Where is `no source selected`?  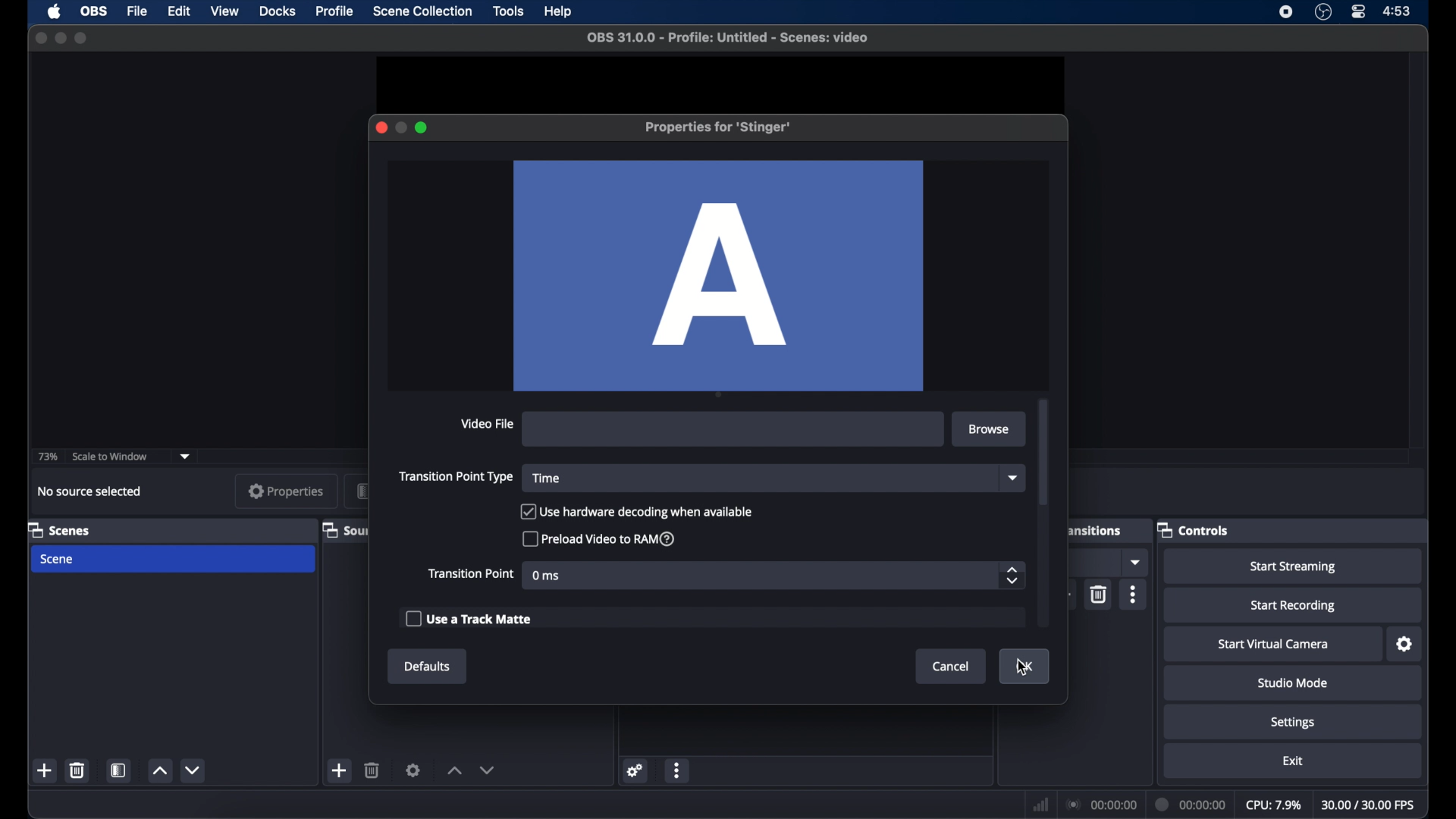
no source selected is located at coordinates (88, 491).